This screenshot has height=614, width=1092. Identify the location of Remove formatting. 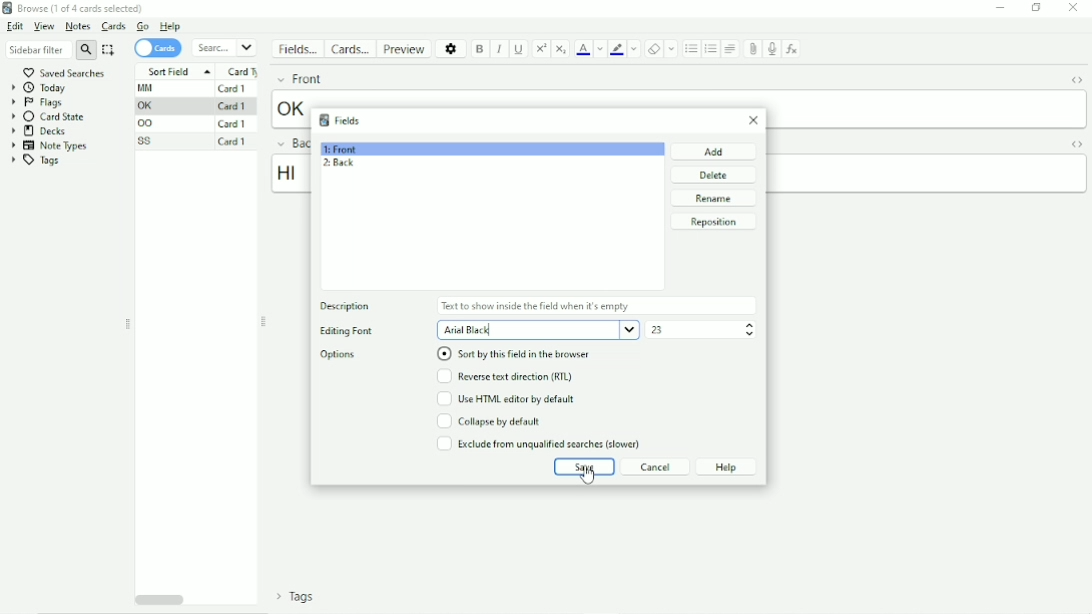
(654, 48).